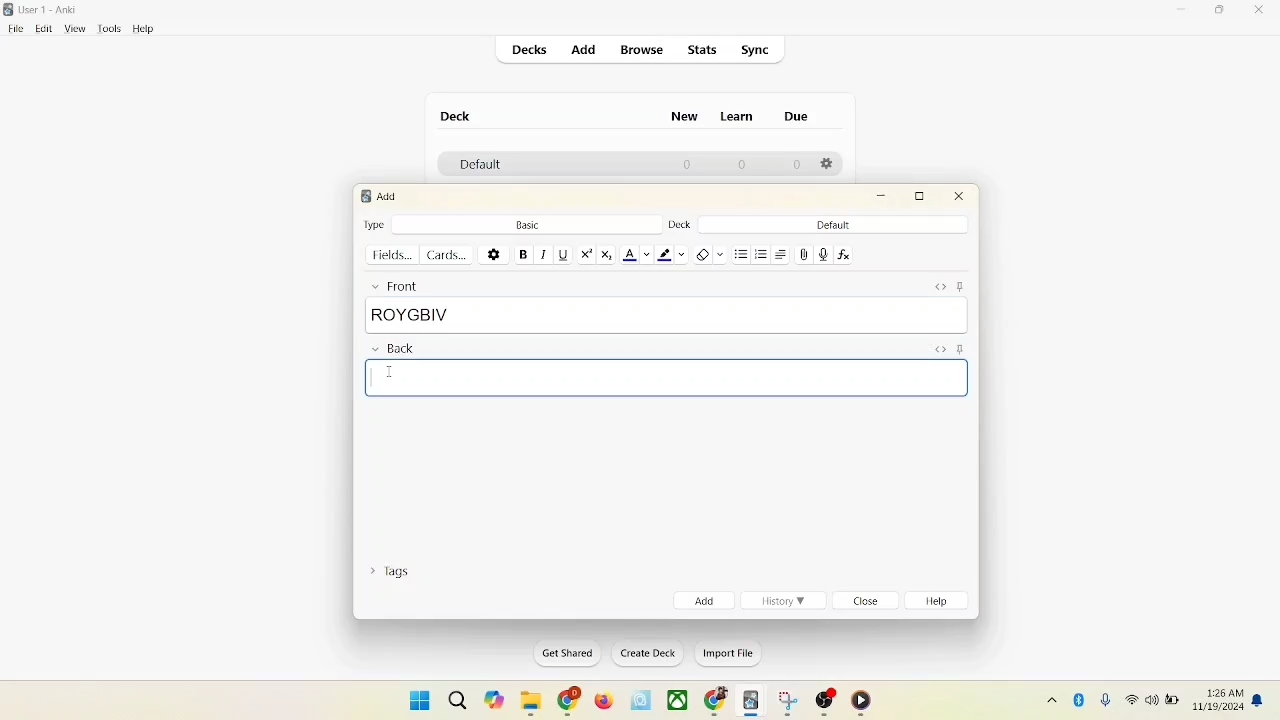  I want to click on , so click(743, 168).